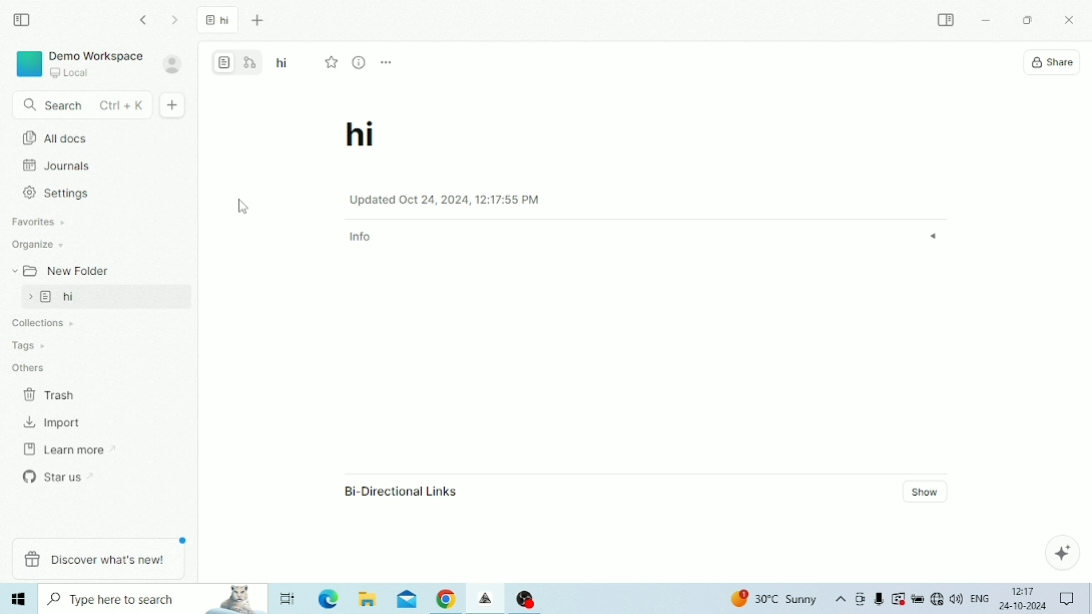  What do you see at coordinates (173, 64) in the screenshot?
I see `Account` at bounding box center [173, 64].